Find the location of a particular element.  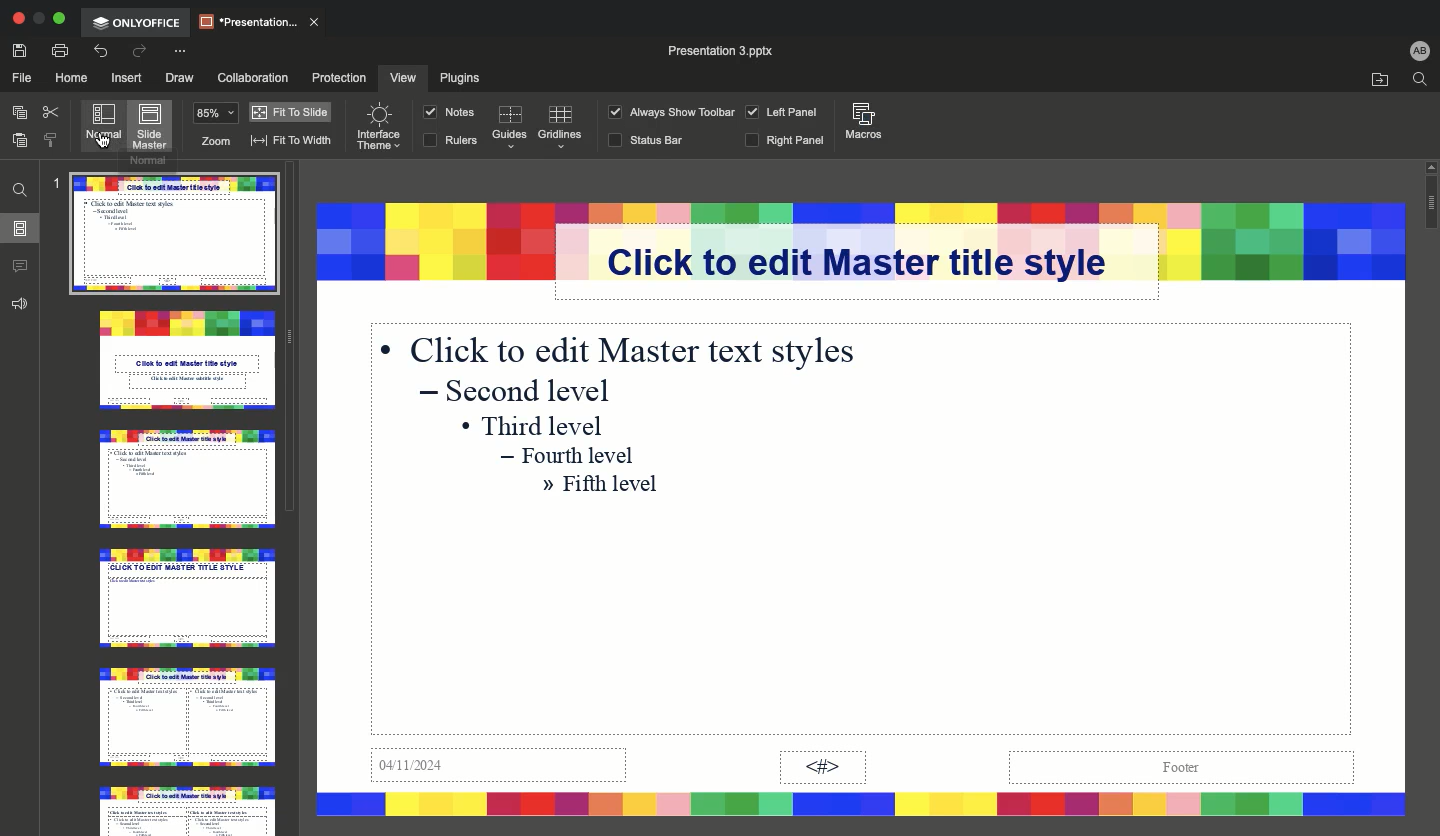

Layout master slide 6 with new layout is located at coordinates (185, 807).